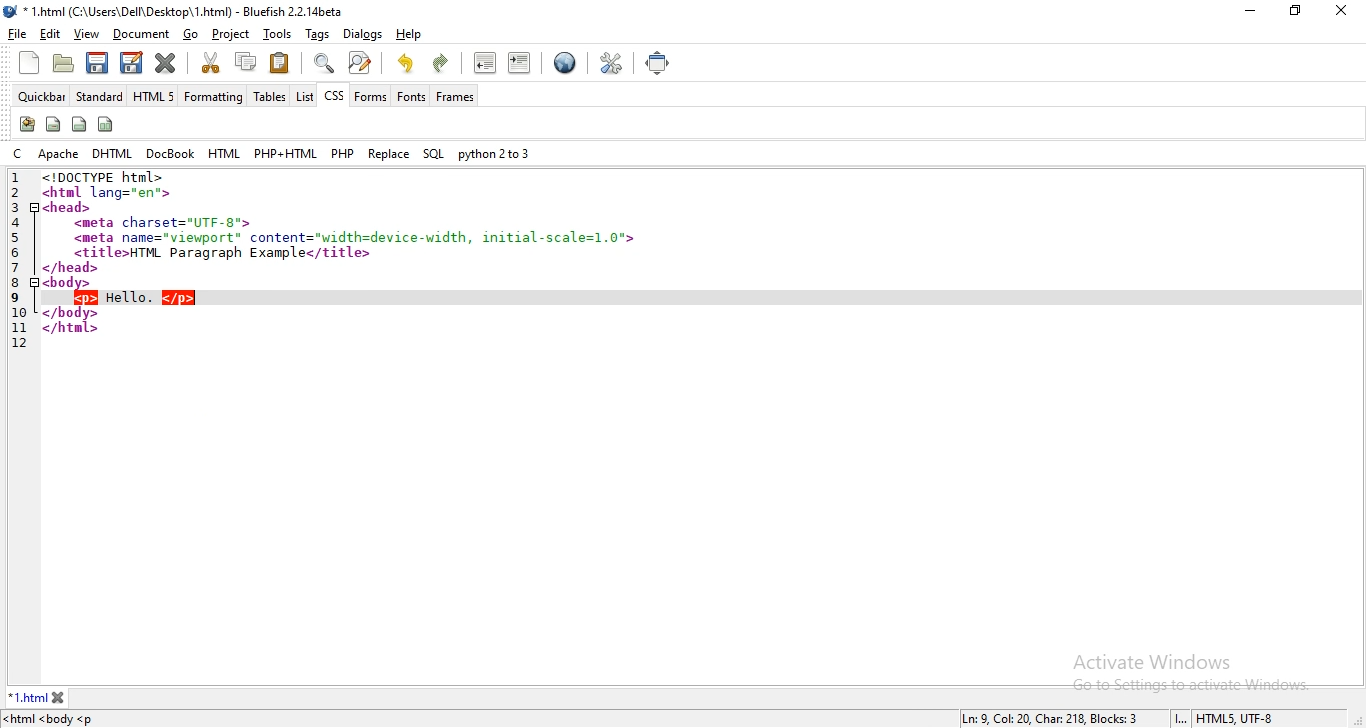 The image size is (1366, 728). I want to click on go, so click(192, 34).